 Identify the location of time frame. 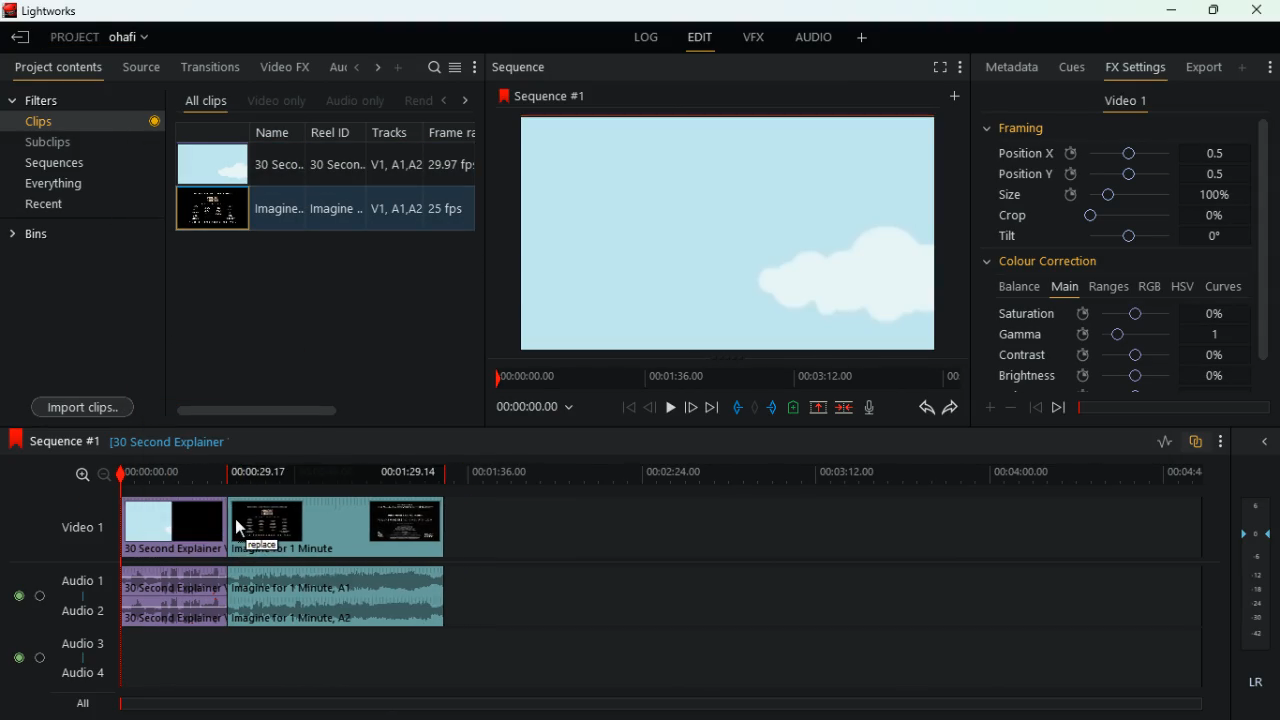
(1174, 408).